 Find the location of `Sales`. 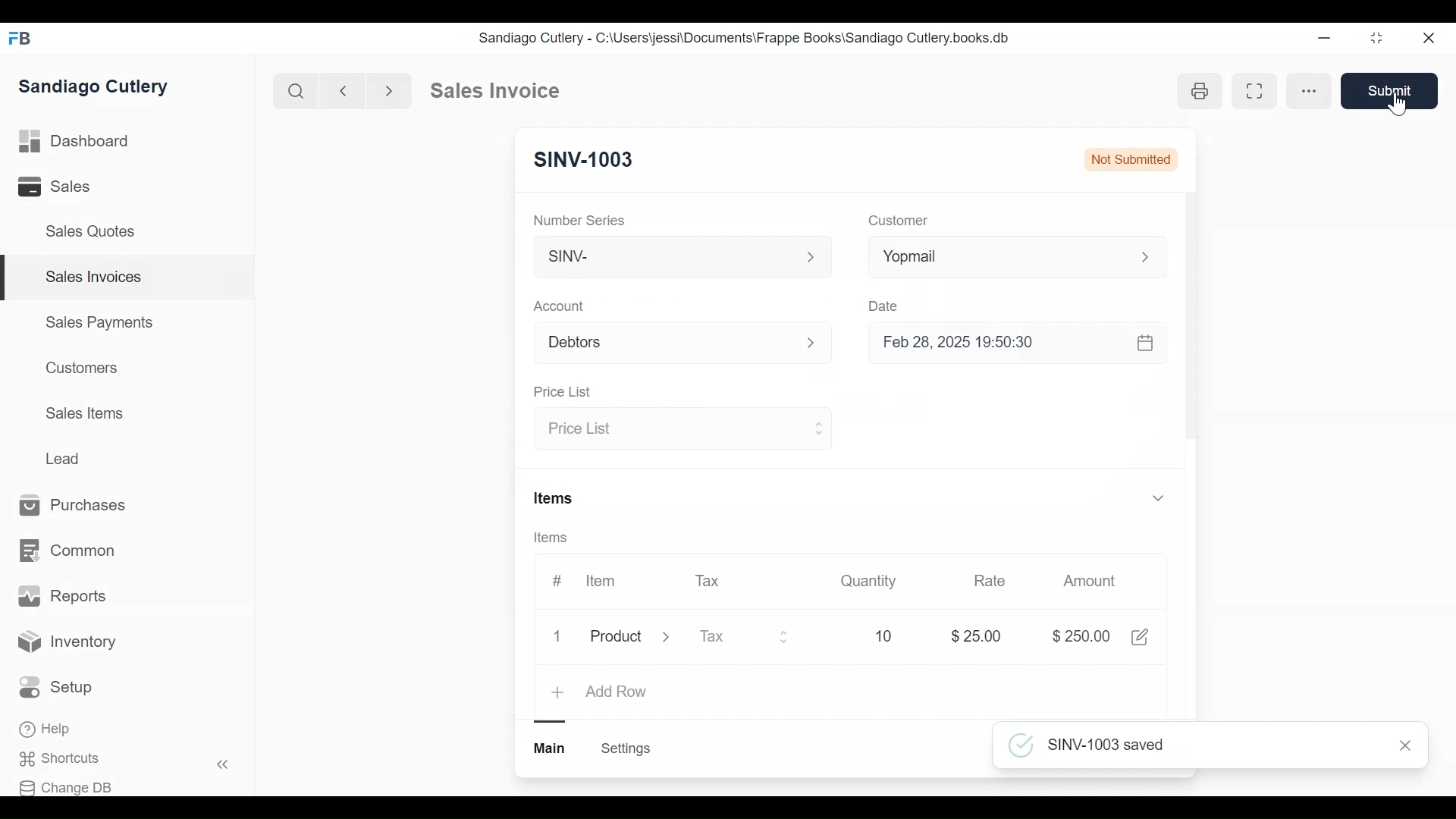

Sales is located at coordinates (57, 186).